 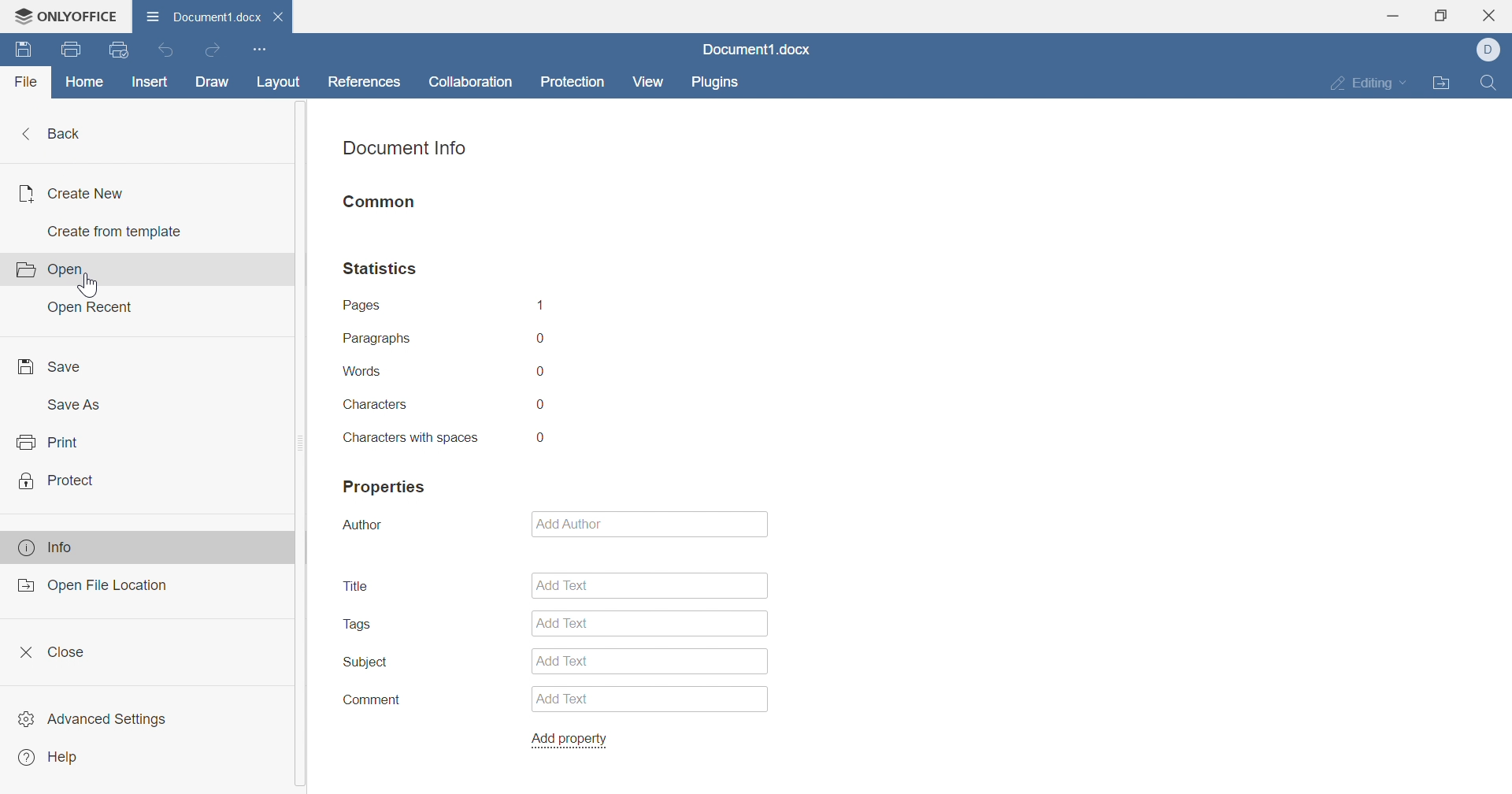 What do you see at coordinates (89, 307) in the screenshot?
I see `open recent` at bounding box center [89, 307].